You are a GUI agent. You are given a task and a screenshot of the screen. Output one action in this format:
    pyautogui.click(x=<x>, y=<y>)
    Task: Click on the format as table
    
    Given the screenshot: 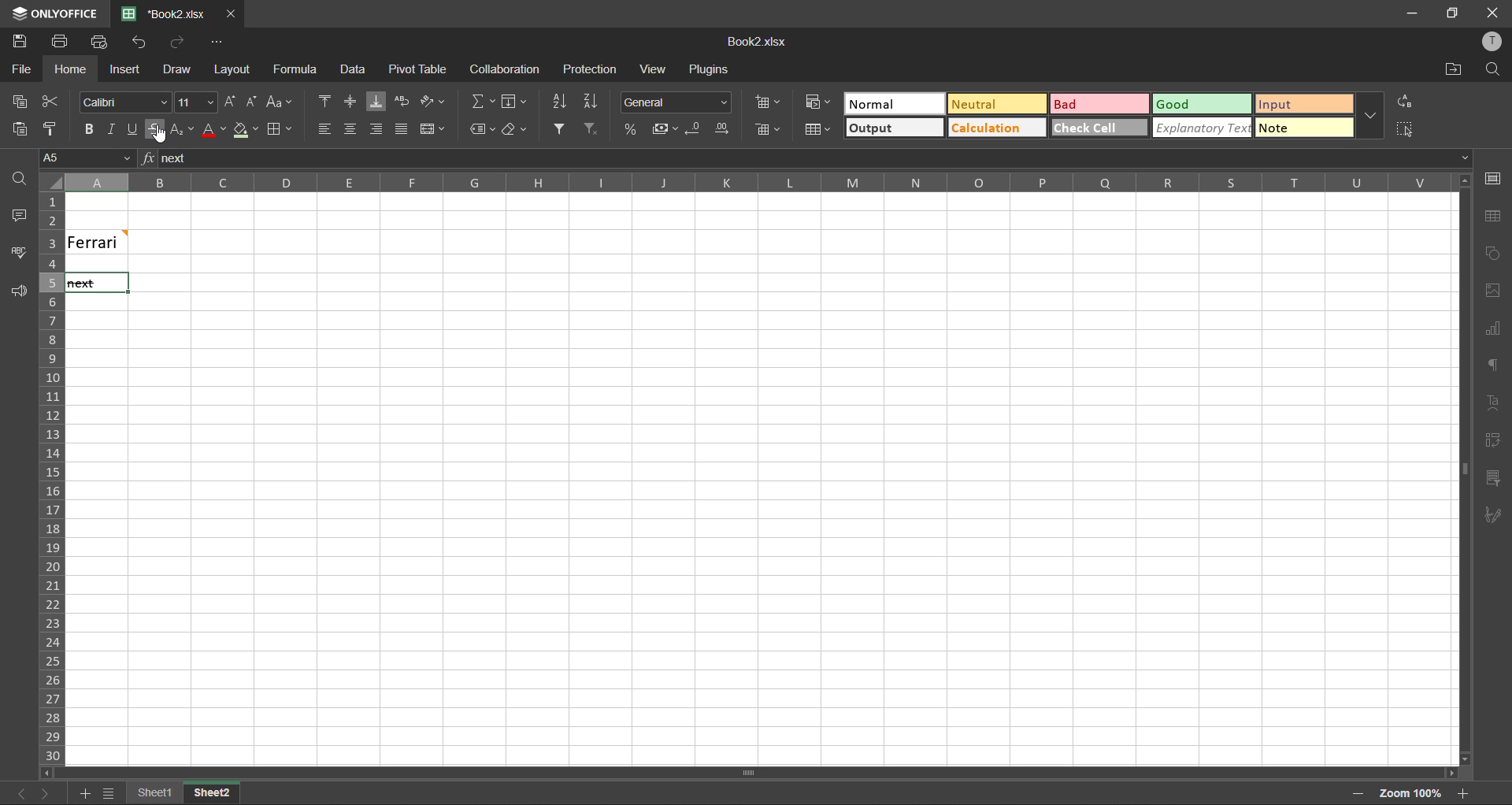 What is the action you would take?
    pyautogui.click(x=817, y=128)
    